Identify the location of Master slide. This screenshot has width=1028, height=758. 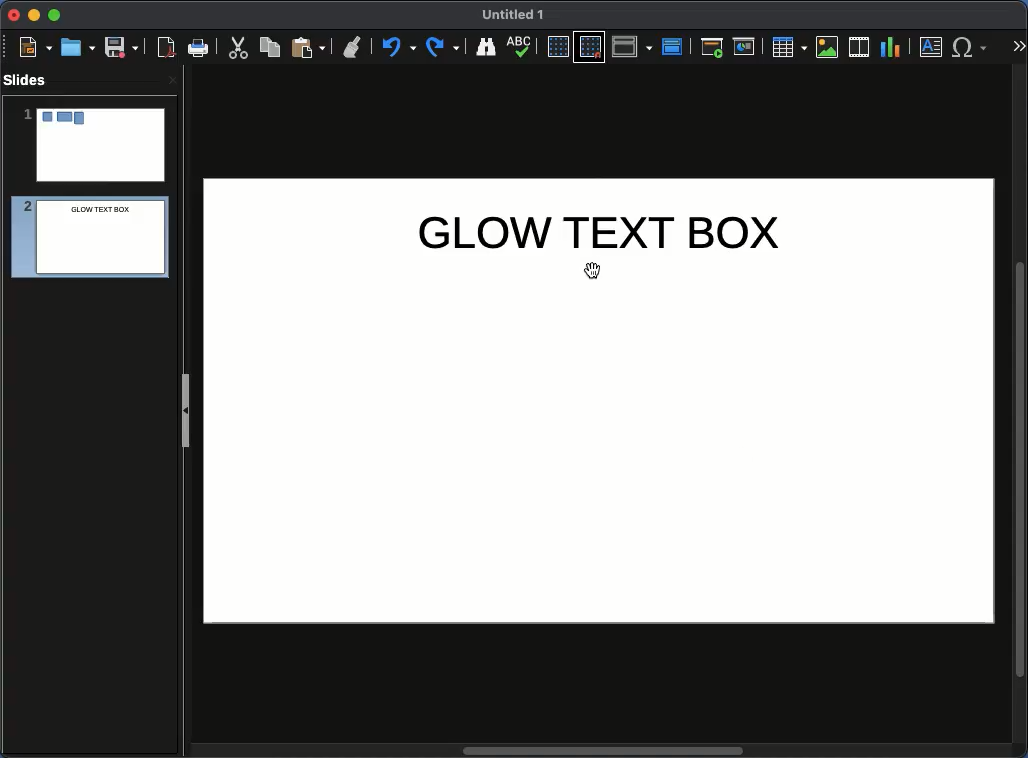
(675, 46).